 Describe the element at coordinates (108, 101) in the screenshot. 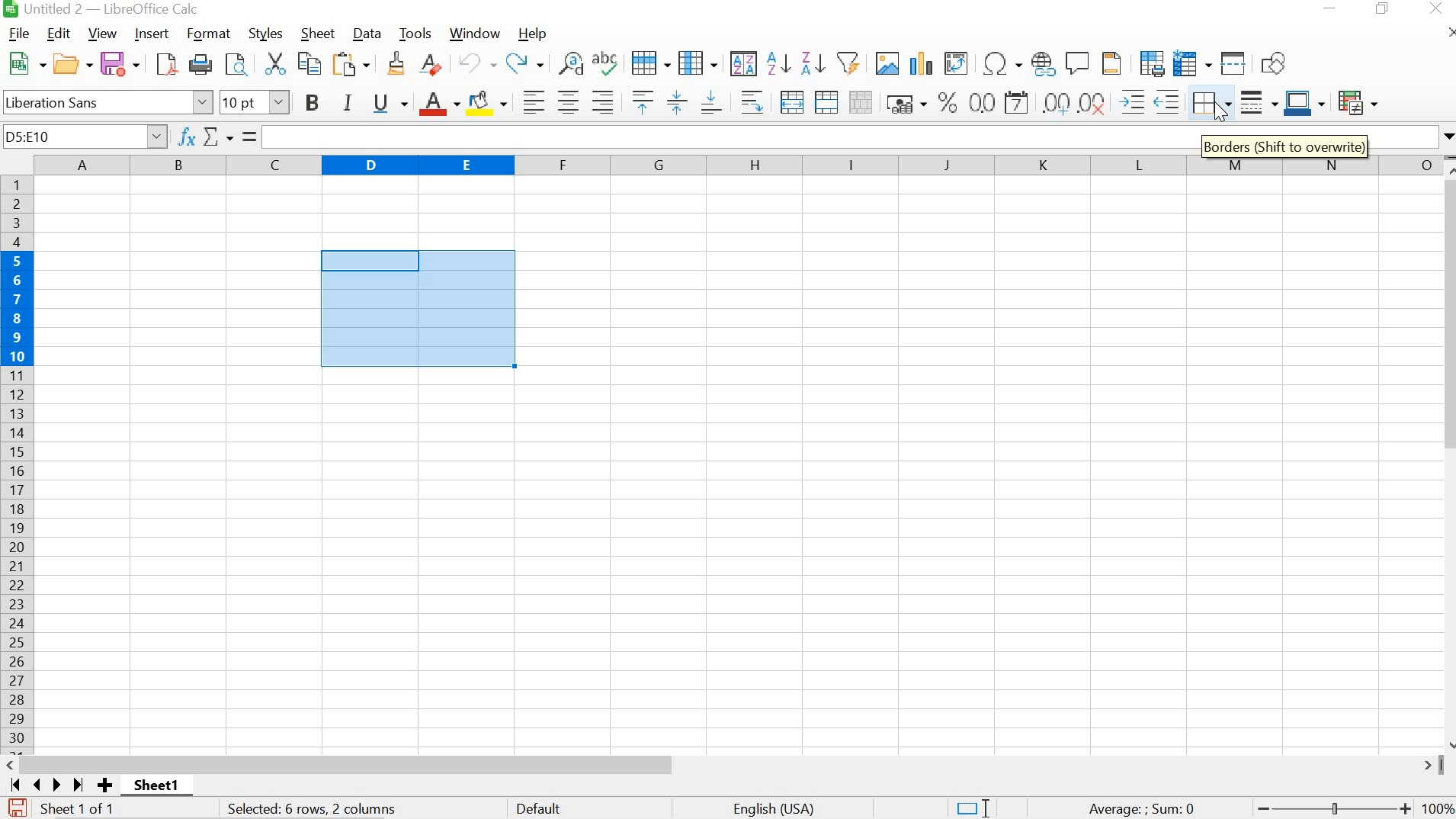

I see `FONT NAME` at that location.